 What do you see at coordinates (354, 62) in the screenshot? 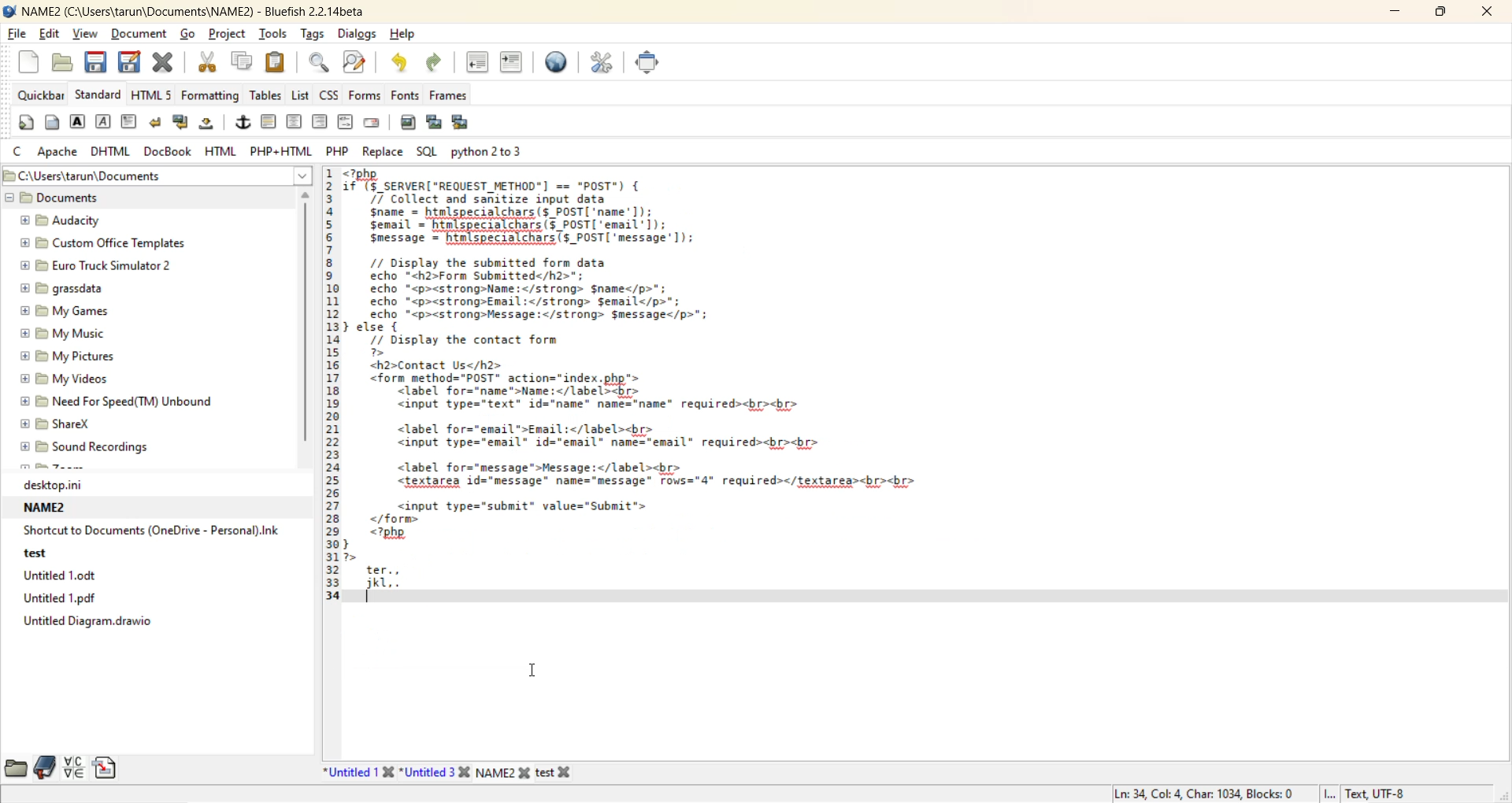
I see `find and replace` at bounding box center [354, 62].